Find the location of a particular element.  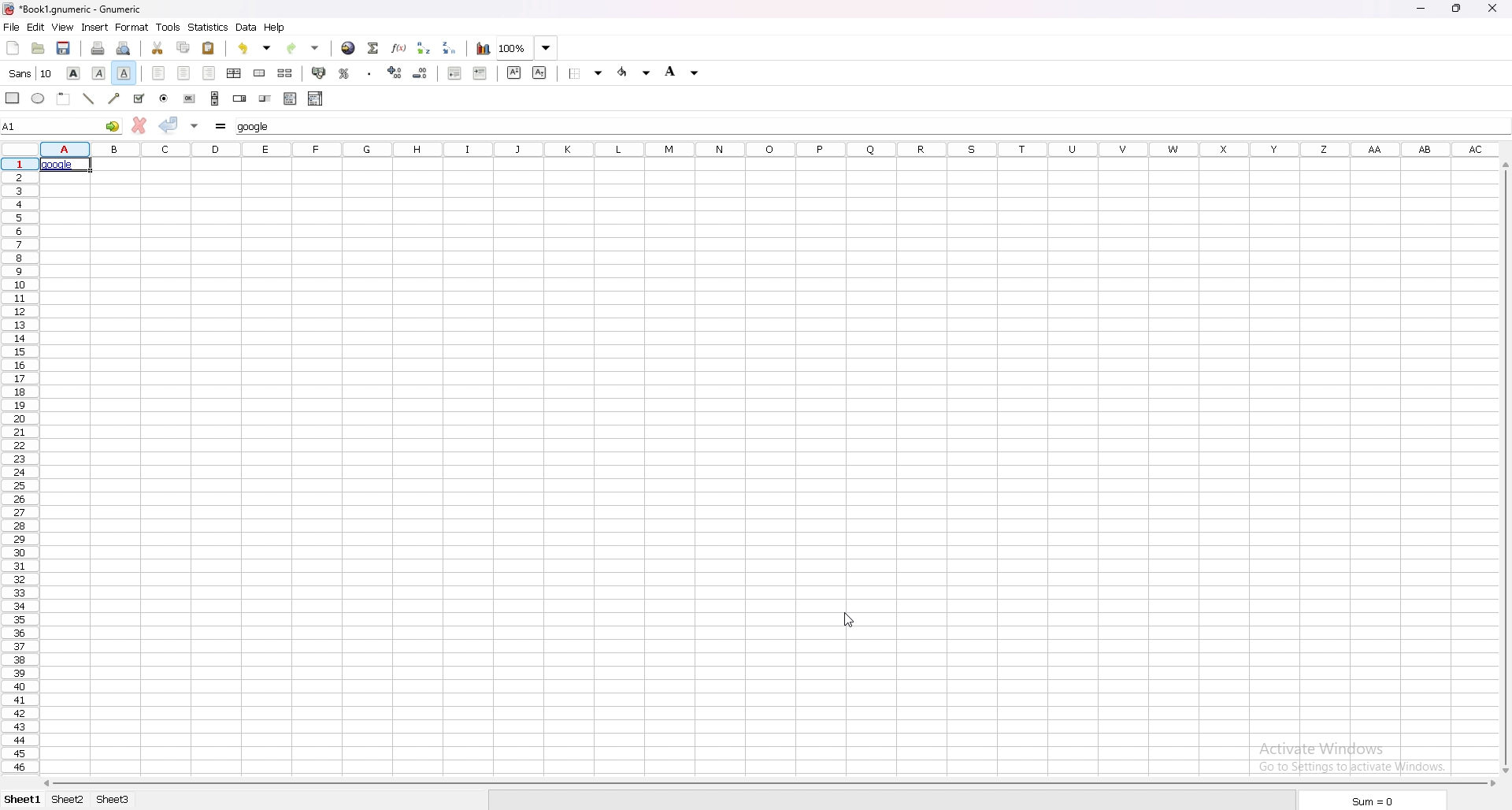

cursor is located at coordinates (852, 619).